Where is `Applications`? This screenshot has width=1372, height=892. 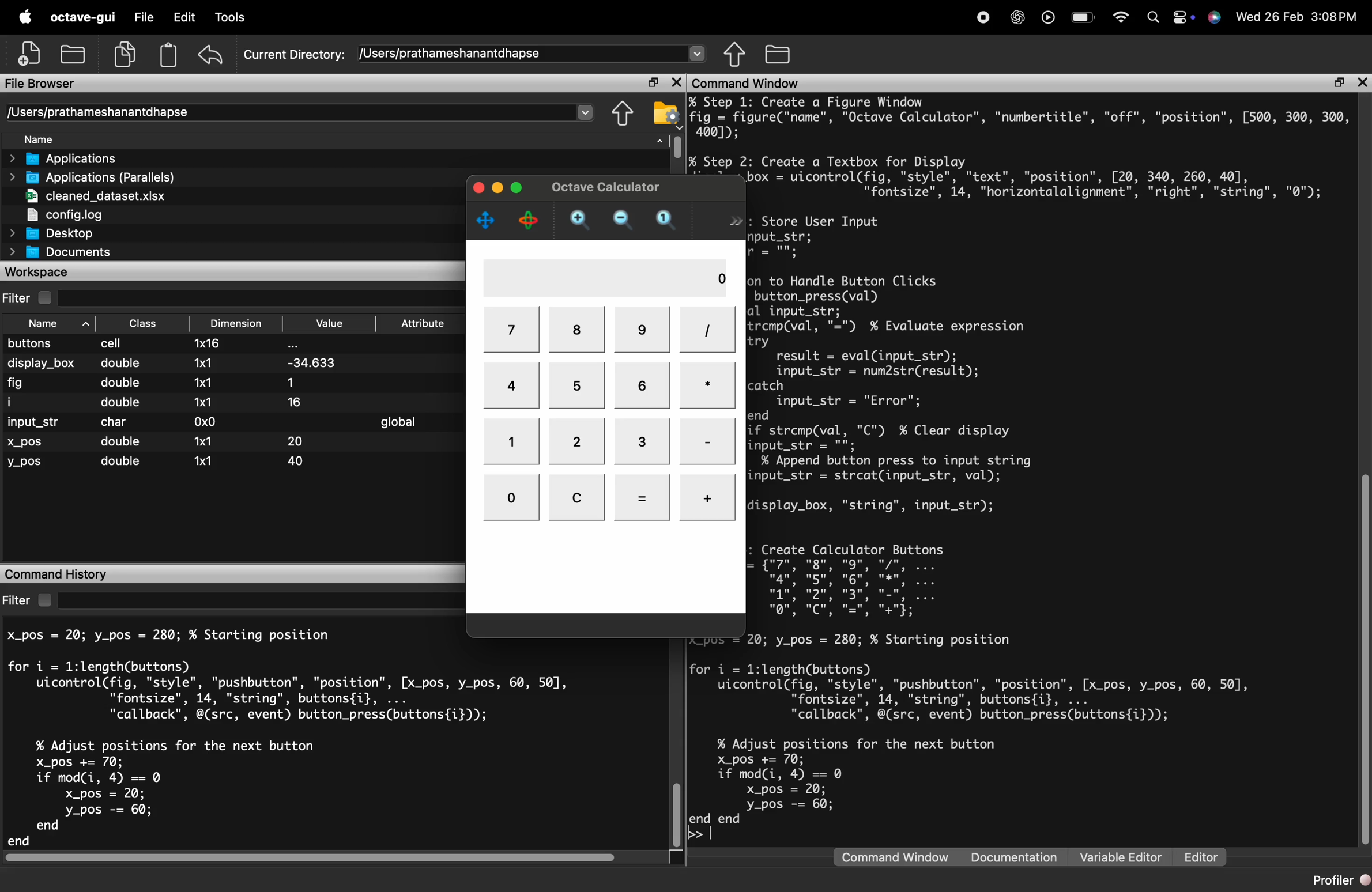
Applications is located at coordinates (64, 157).